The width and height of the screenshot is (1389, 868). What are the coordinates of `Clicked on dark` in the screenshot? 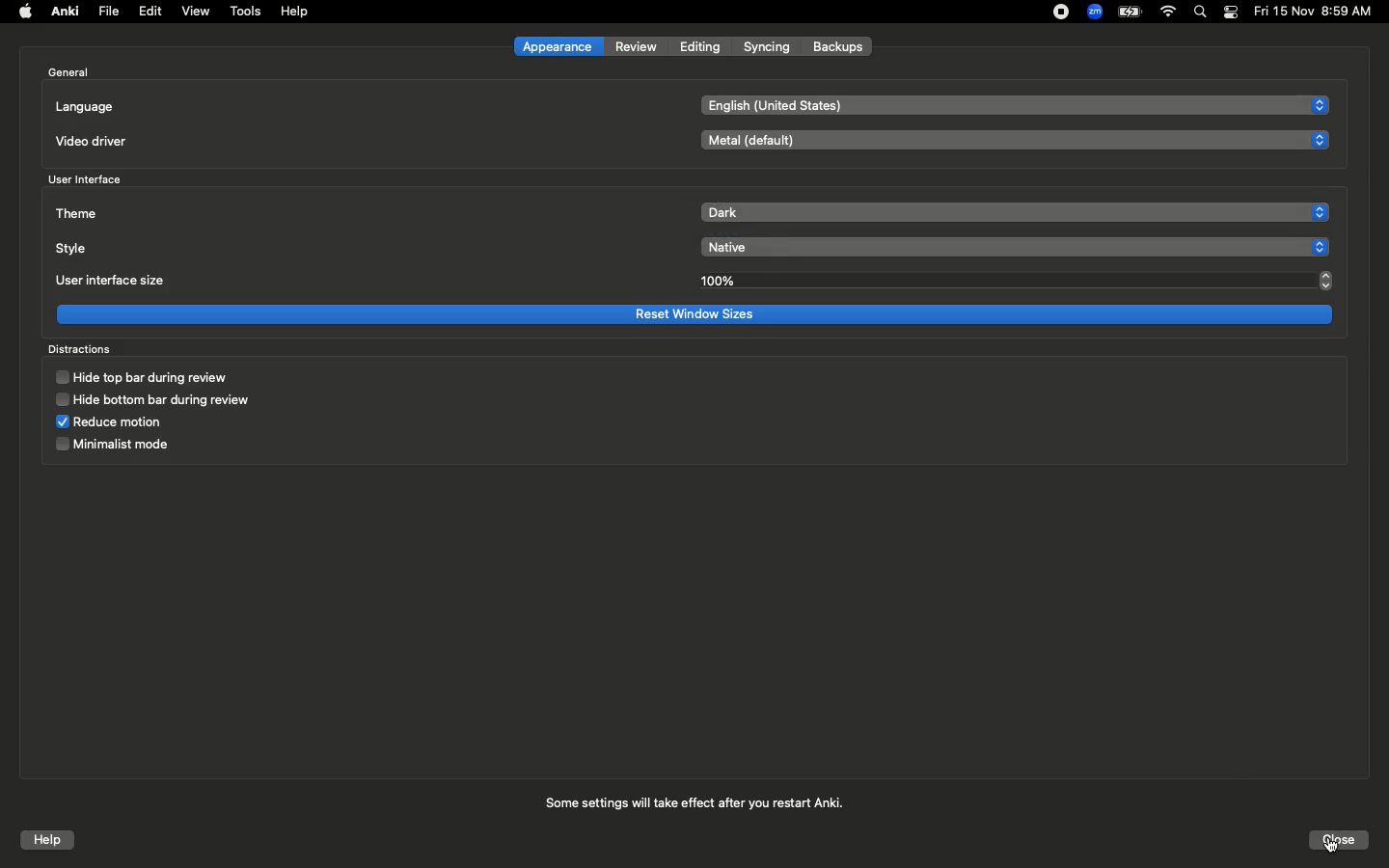 It's located at (754, 214).